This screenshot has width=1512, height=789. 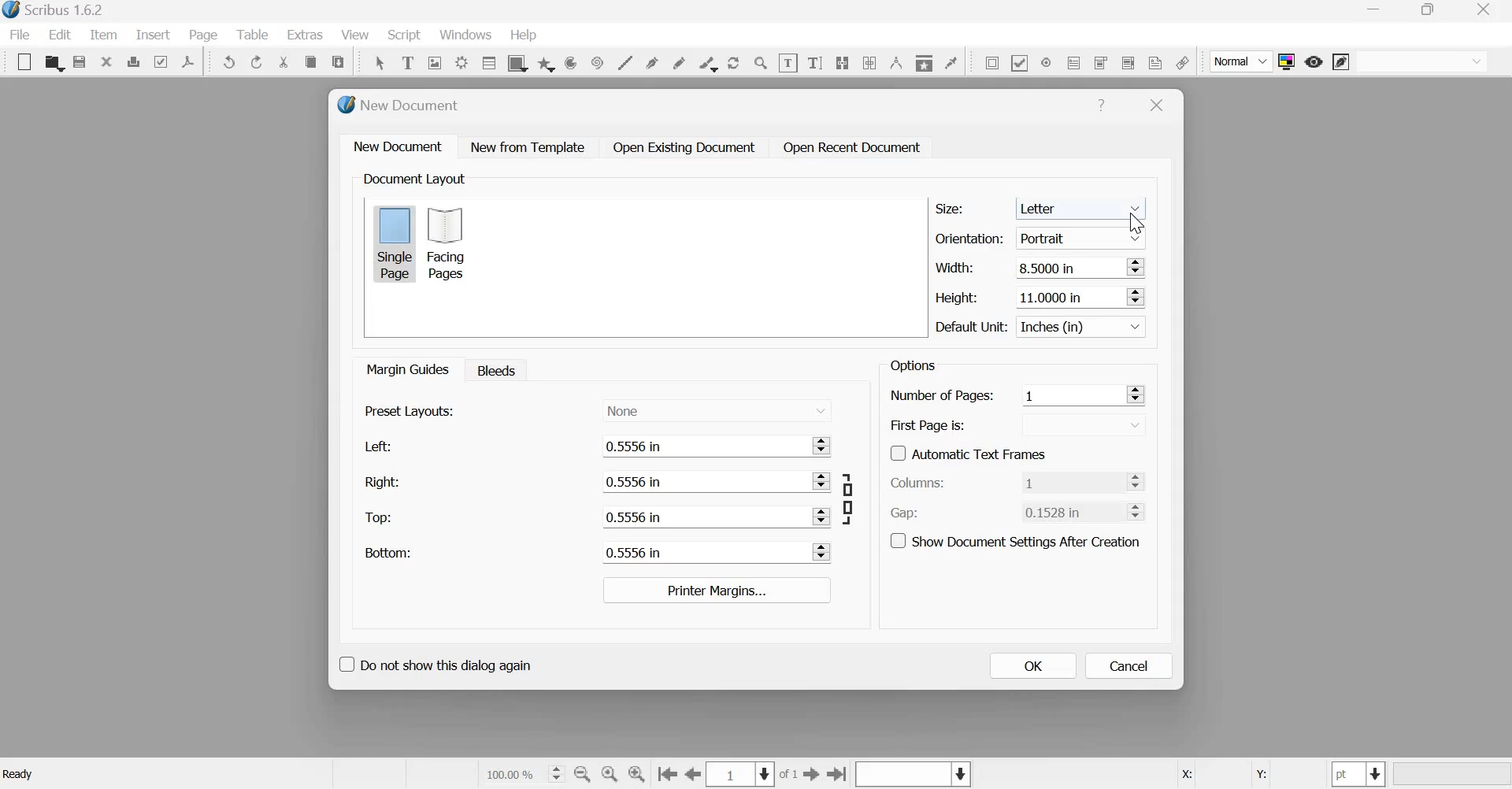 I want to click on zoom in by the stepping value in Tools preferences, so click(x=638, y=774).